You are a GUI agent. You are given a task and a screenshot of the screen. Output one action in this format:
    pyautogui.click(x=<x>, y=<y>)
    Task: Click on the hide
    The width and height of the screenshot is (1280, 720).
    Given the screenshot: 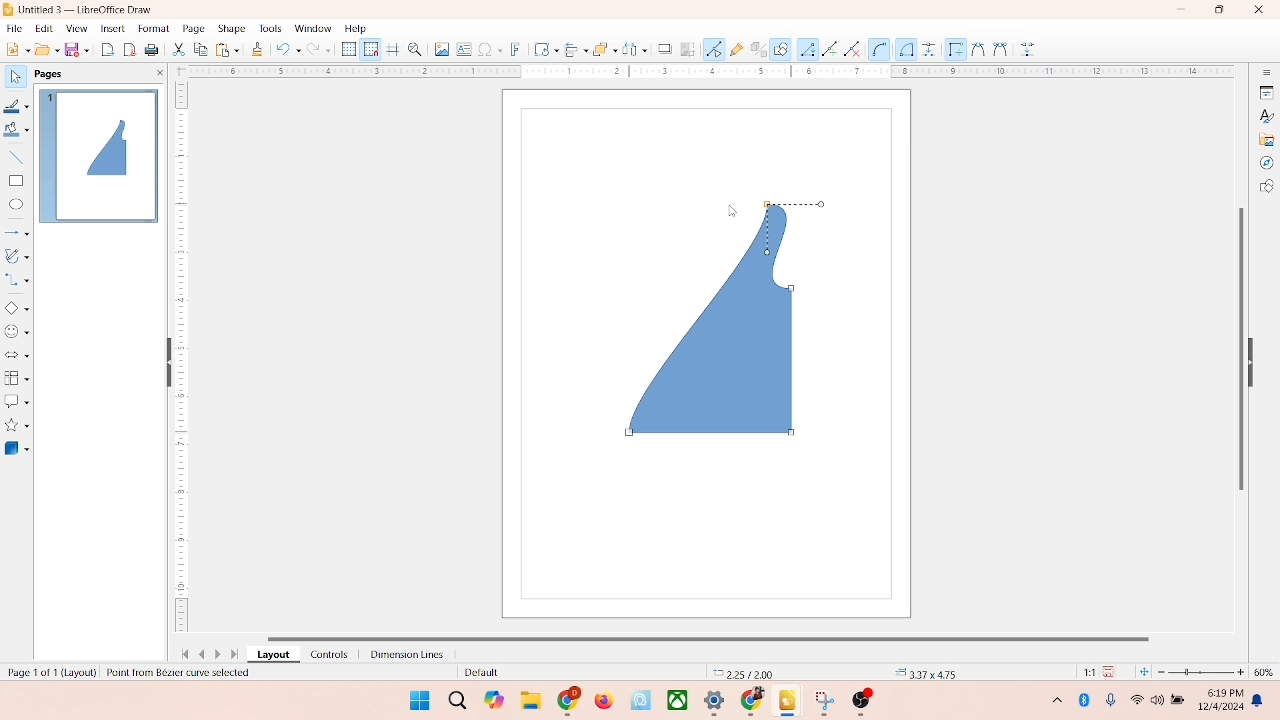 What is the action you would take?
    pyautogui.click(x=165, y=364)
    